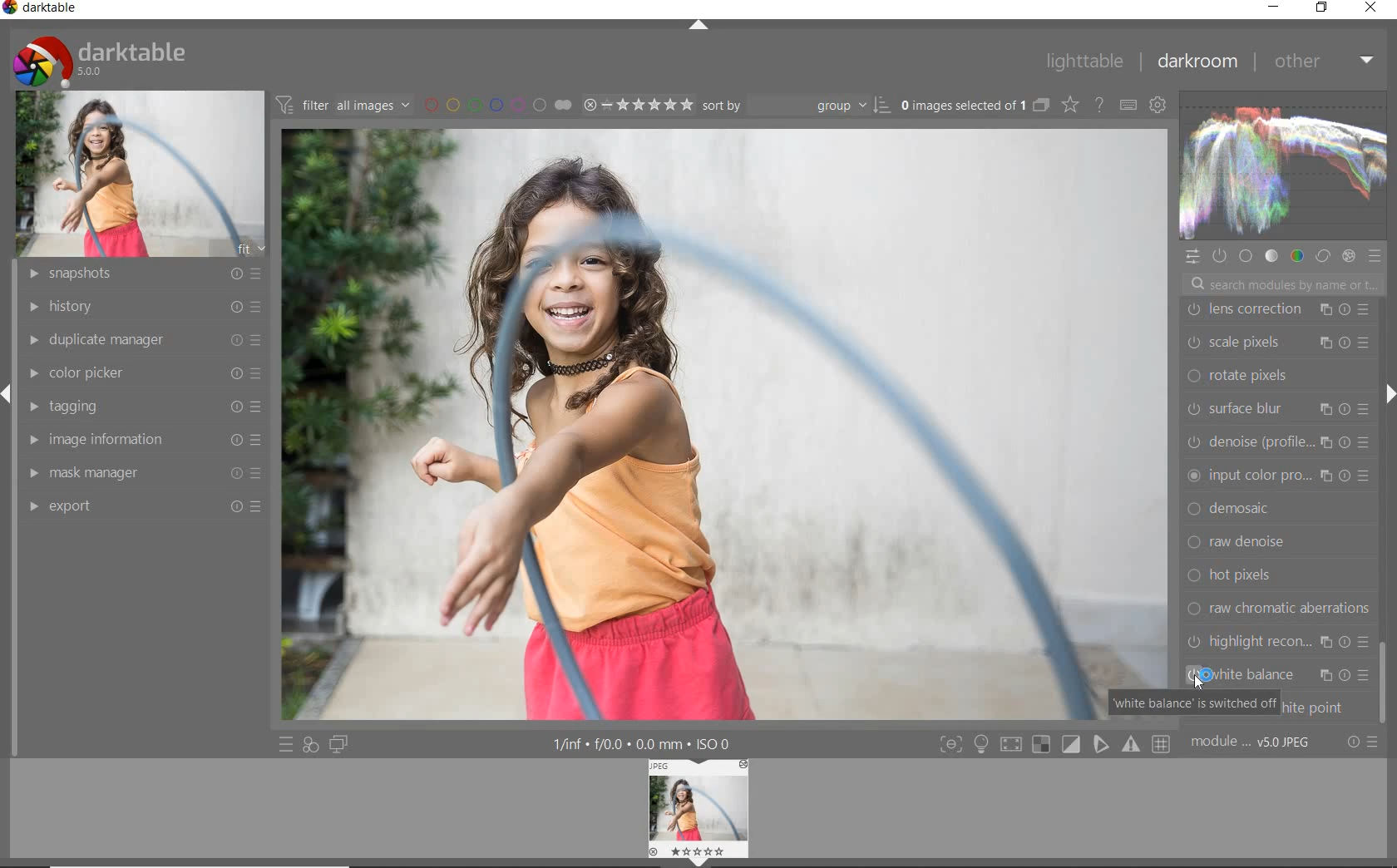 Image resolution: width=1397 pixels, height=868 pixels. I want to click on define keyboard shortcut, so click(1128, 105).